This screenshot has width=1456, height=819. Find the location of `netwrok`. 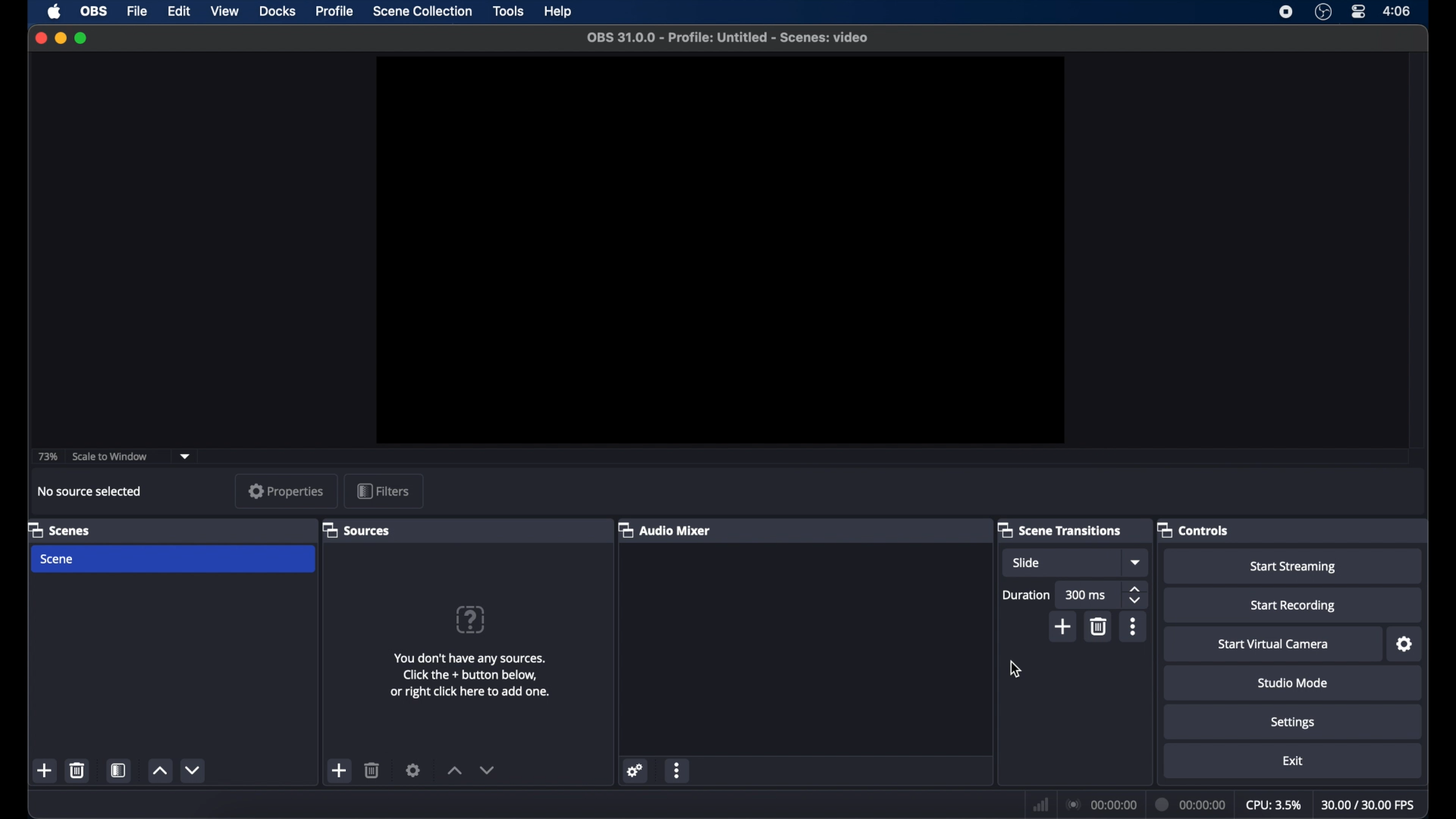

netwrok is located at coordinates (1039, 803).